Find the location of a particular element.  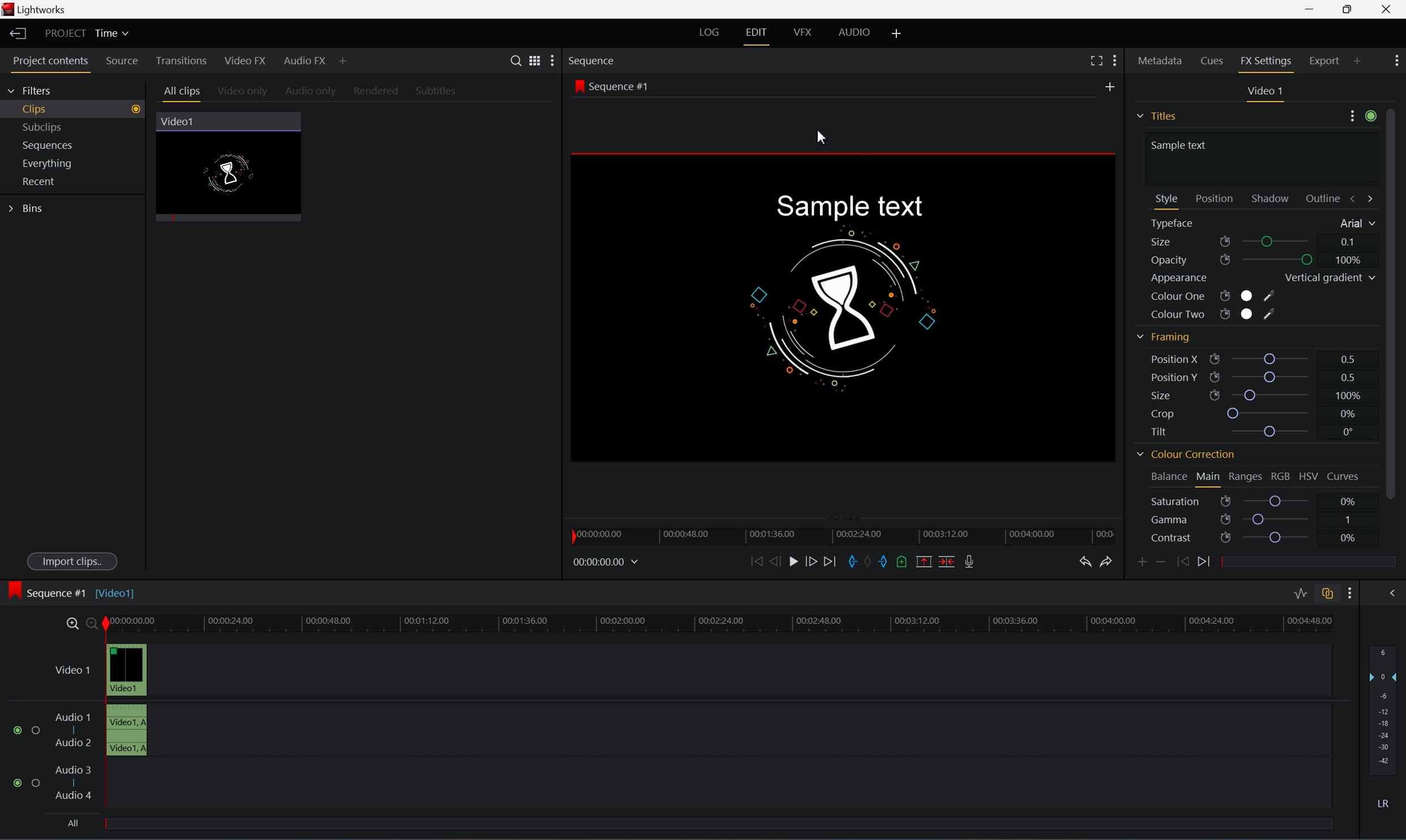

slider is located at coordinates (1272, 395).